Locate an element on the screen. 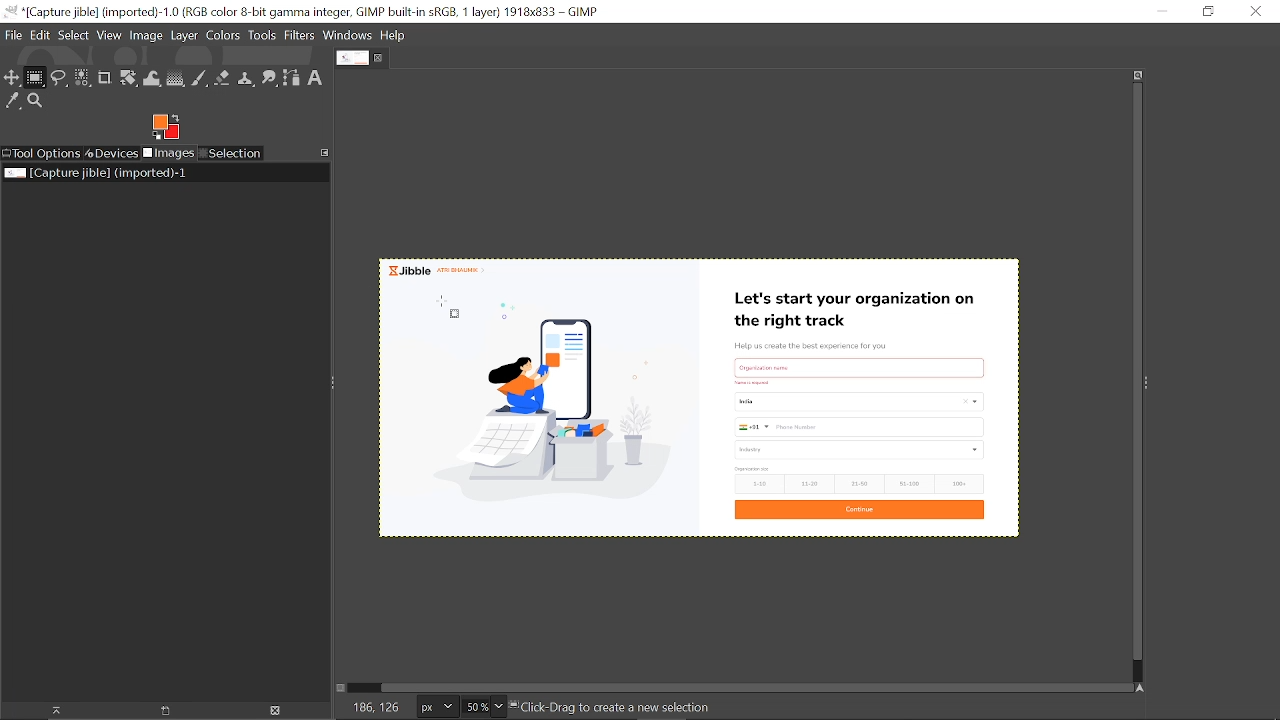 The height and width of the screenshot is (720, 1280). Move tool is located at coordinates (13, 79).